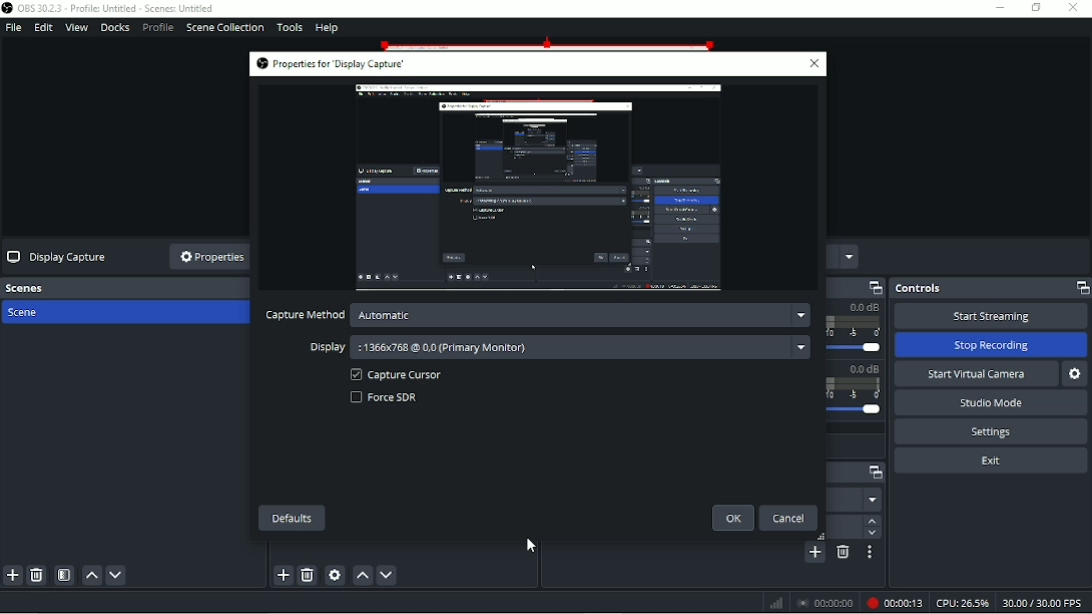 The width and height of the screenshot is (1092, 614). I want to click on Scene transitions, so click(859, 471).